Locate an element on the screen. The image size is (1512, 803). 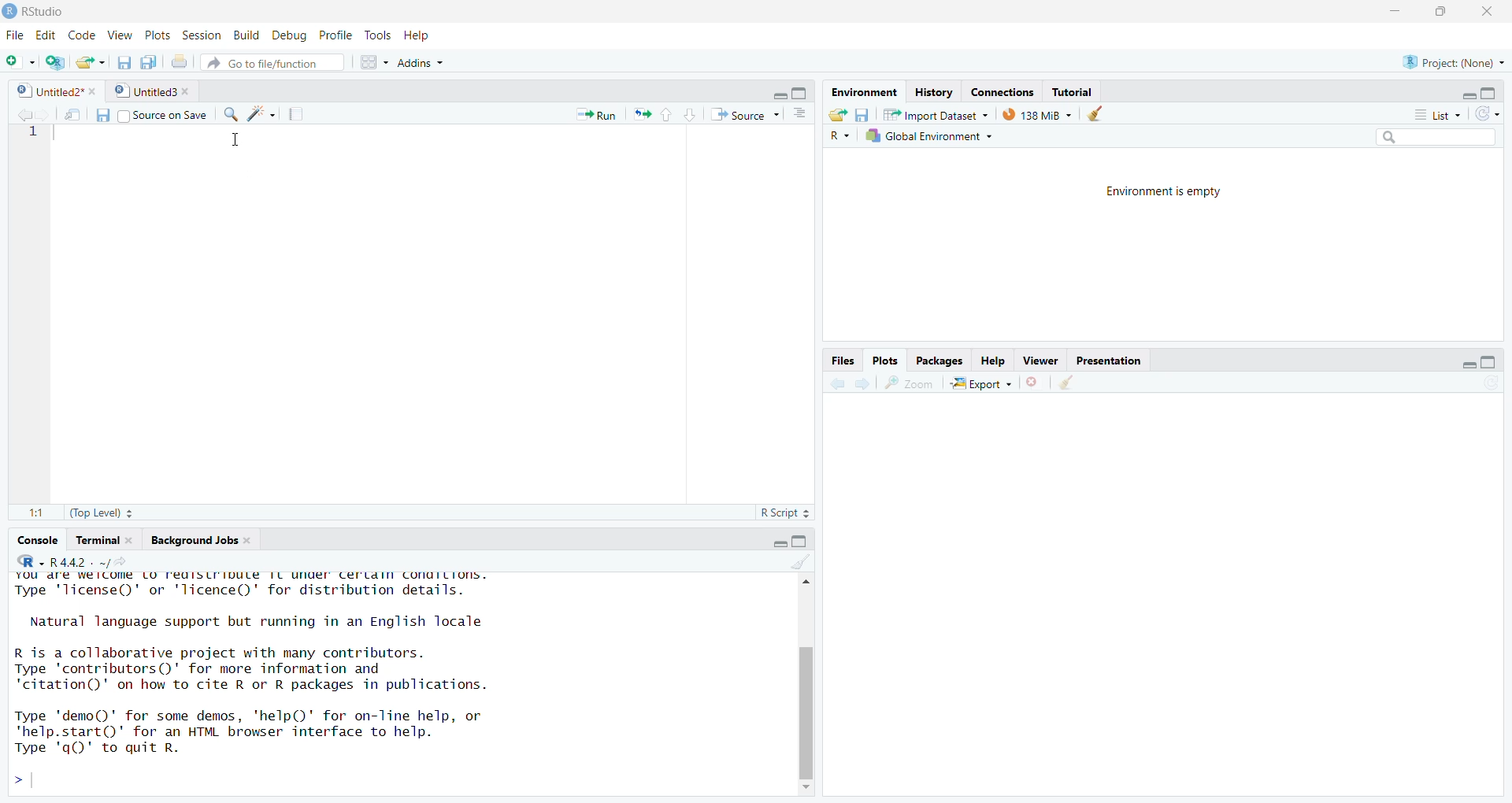
Scroll bar is located at coordinates (810, 683).